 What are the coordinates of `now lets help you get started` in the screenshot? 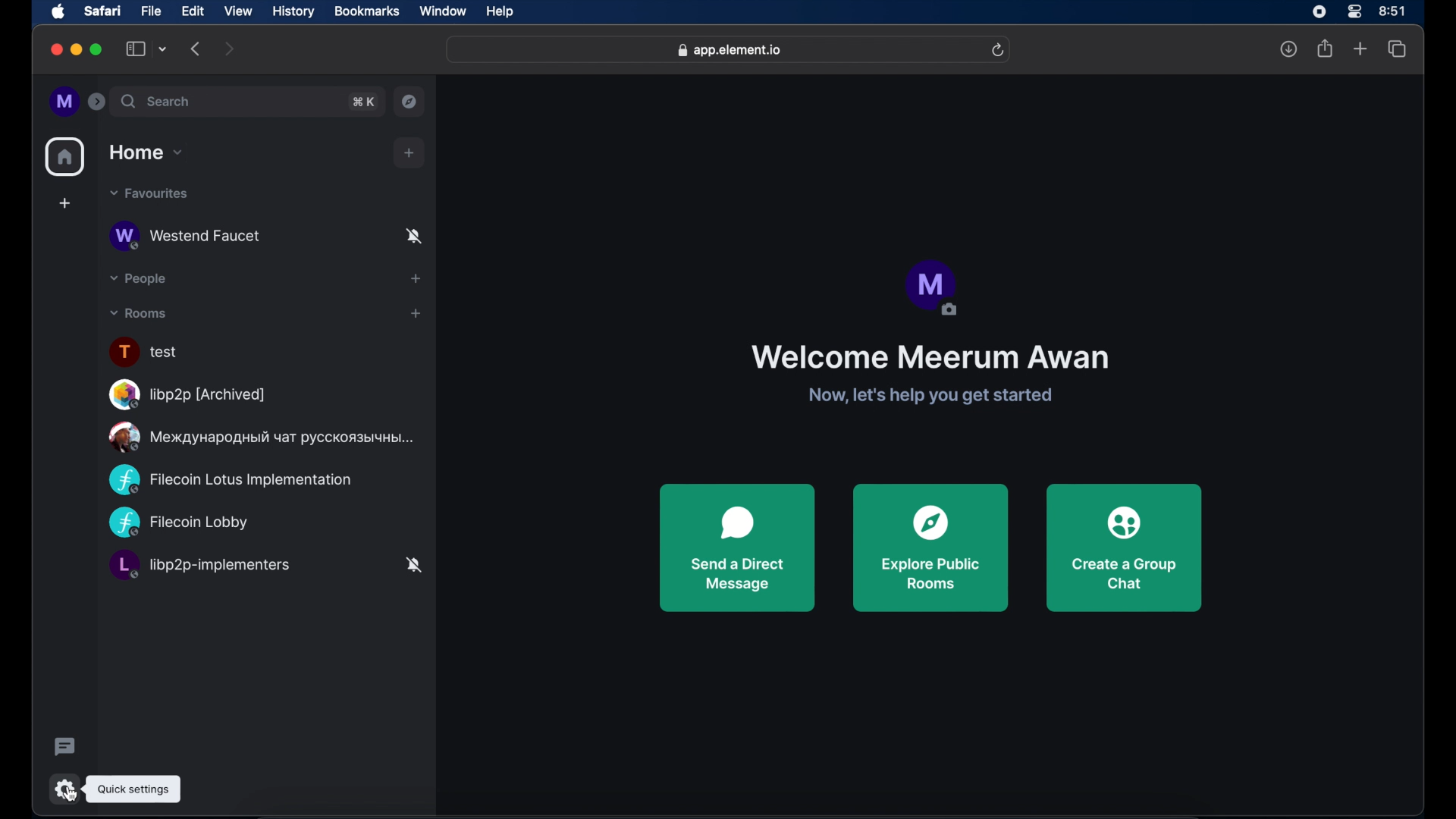 It's located at (929, 397).